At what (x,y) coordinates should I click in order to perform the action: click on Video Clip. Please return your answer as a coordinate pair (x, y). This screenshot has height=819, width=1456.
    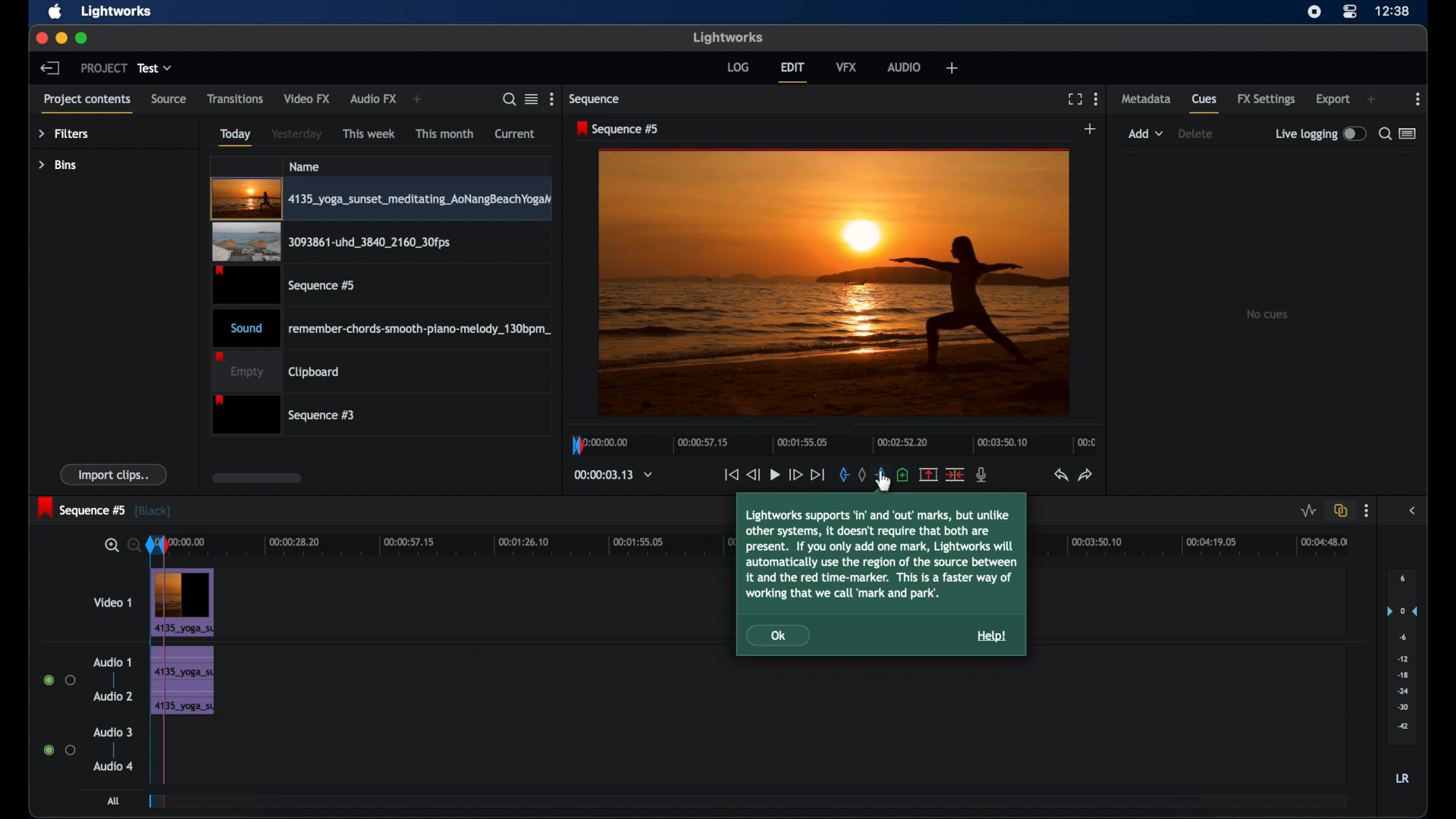
    Looking at the image, I should click on (181, 603).